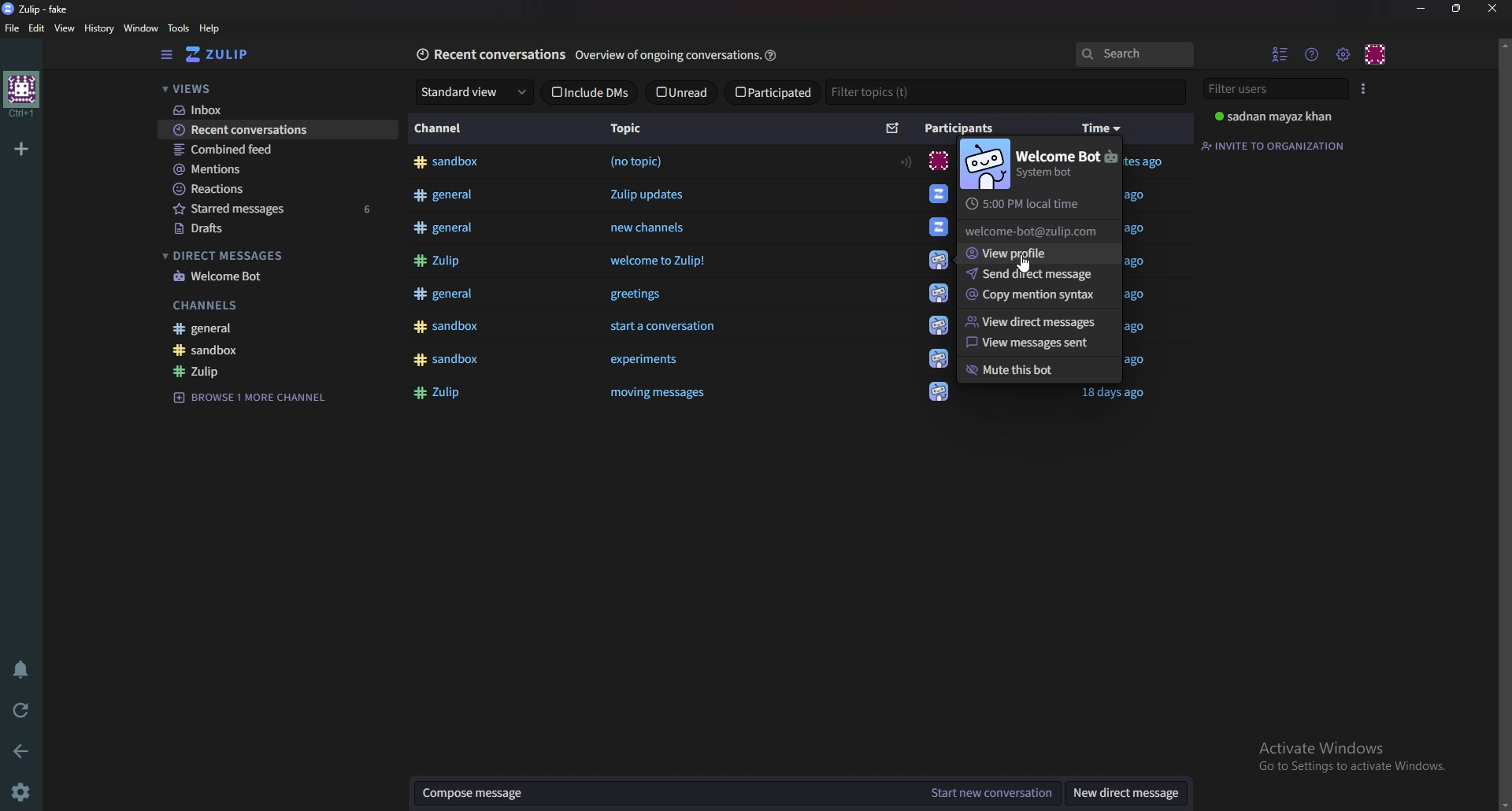 The height and width of the screenshot is (811, 1512). What do you see at coordinates (1492, 10) in the screenshot?
I see `close` at bounding box center [1492, 10].